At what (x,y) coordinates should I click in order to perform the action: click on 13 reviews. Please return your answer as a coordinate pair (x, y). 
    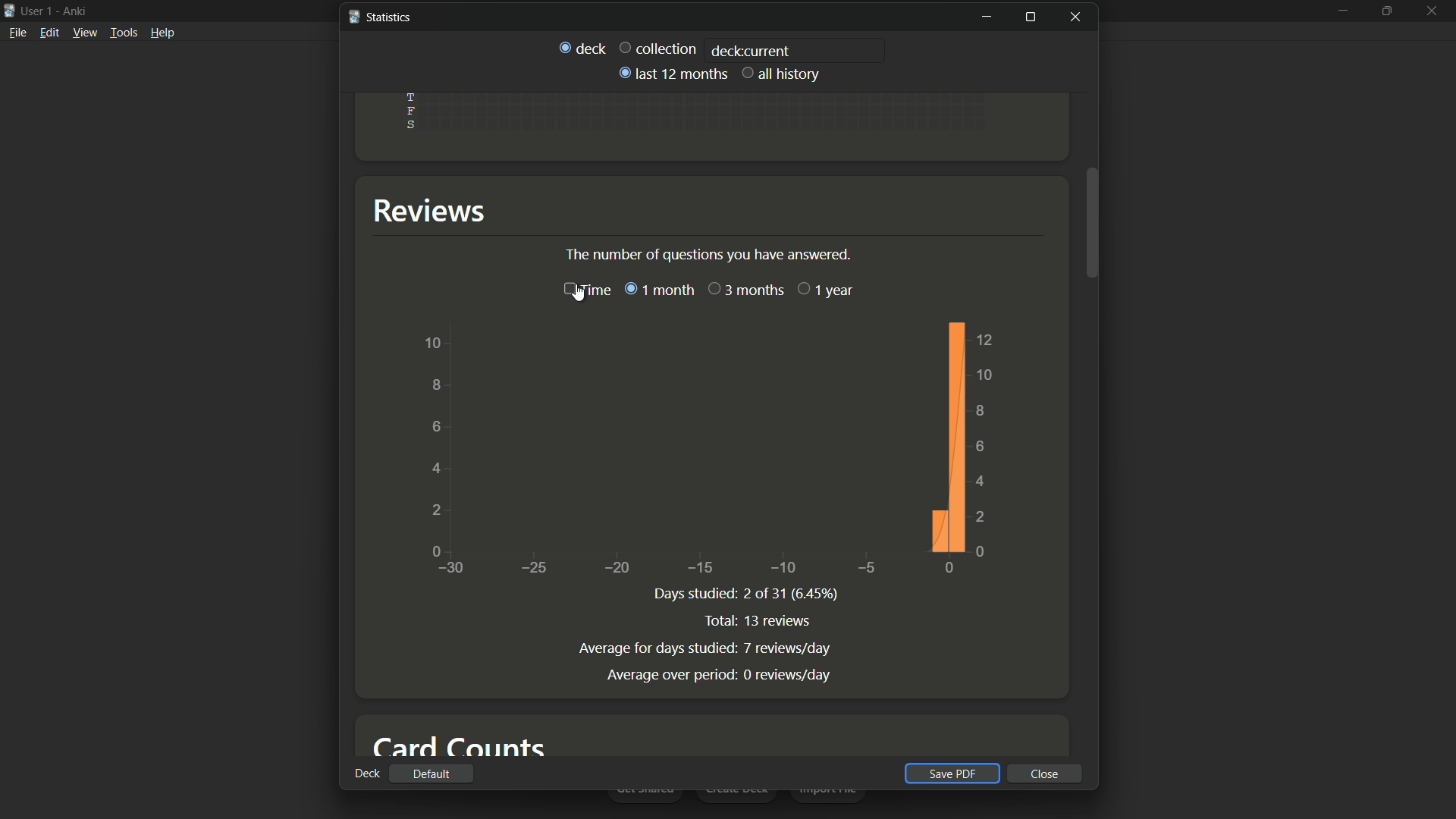
    Looking at the image, I should click on (780, 621).